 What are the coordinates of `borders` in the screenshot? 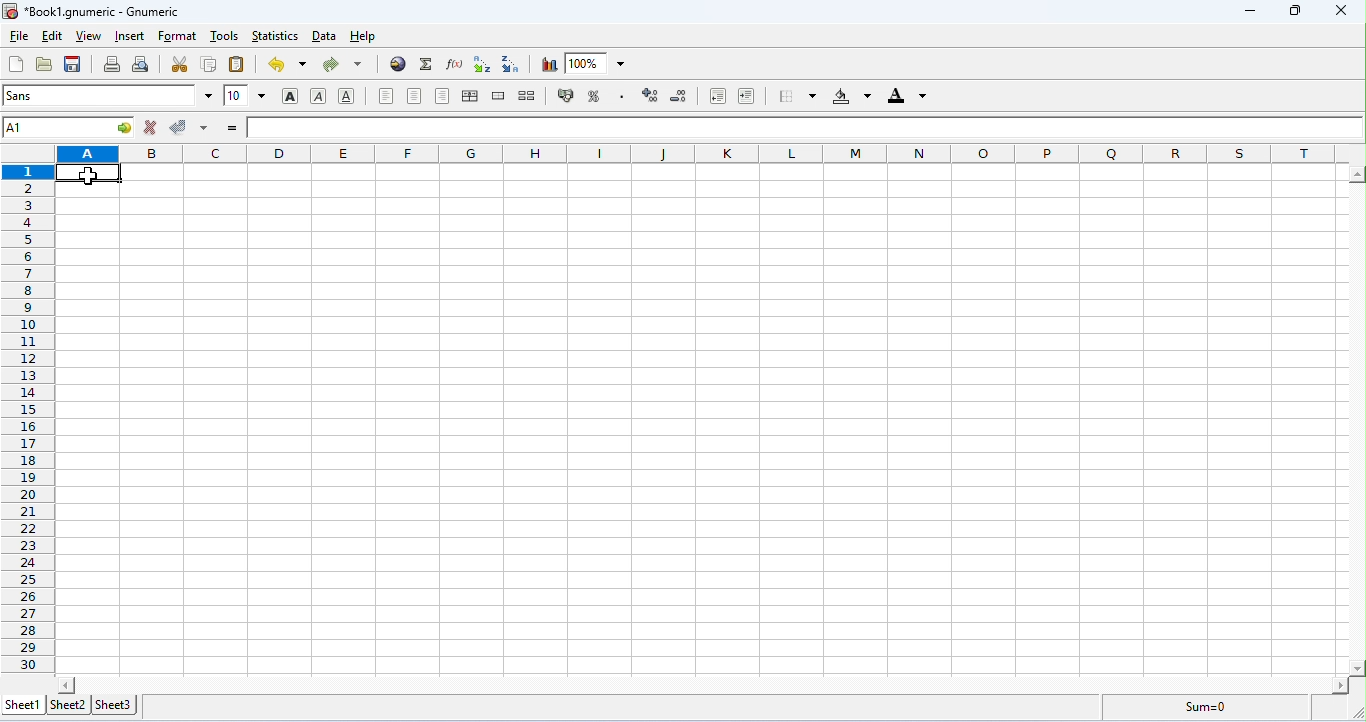 It's located at (798, 96).